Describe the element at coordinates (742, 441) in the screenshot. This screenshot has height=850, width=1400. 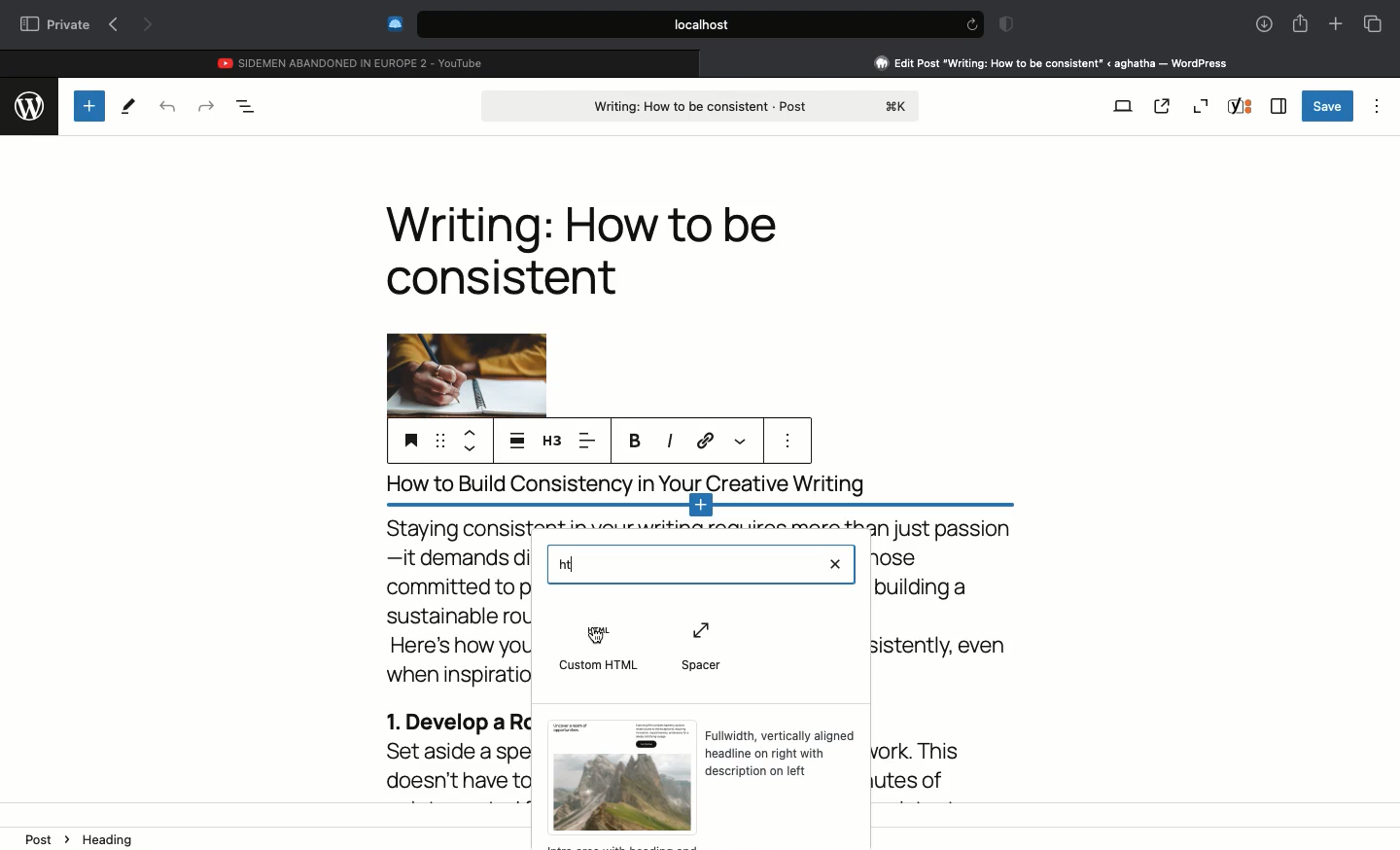
I see `More` at that location.